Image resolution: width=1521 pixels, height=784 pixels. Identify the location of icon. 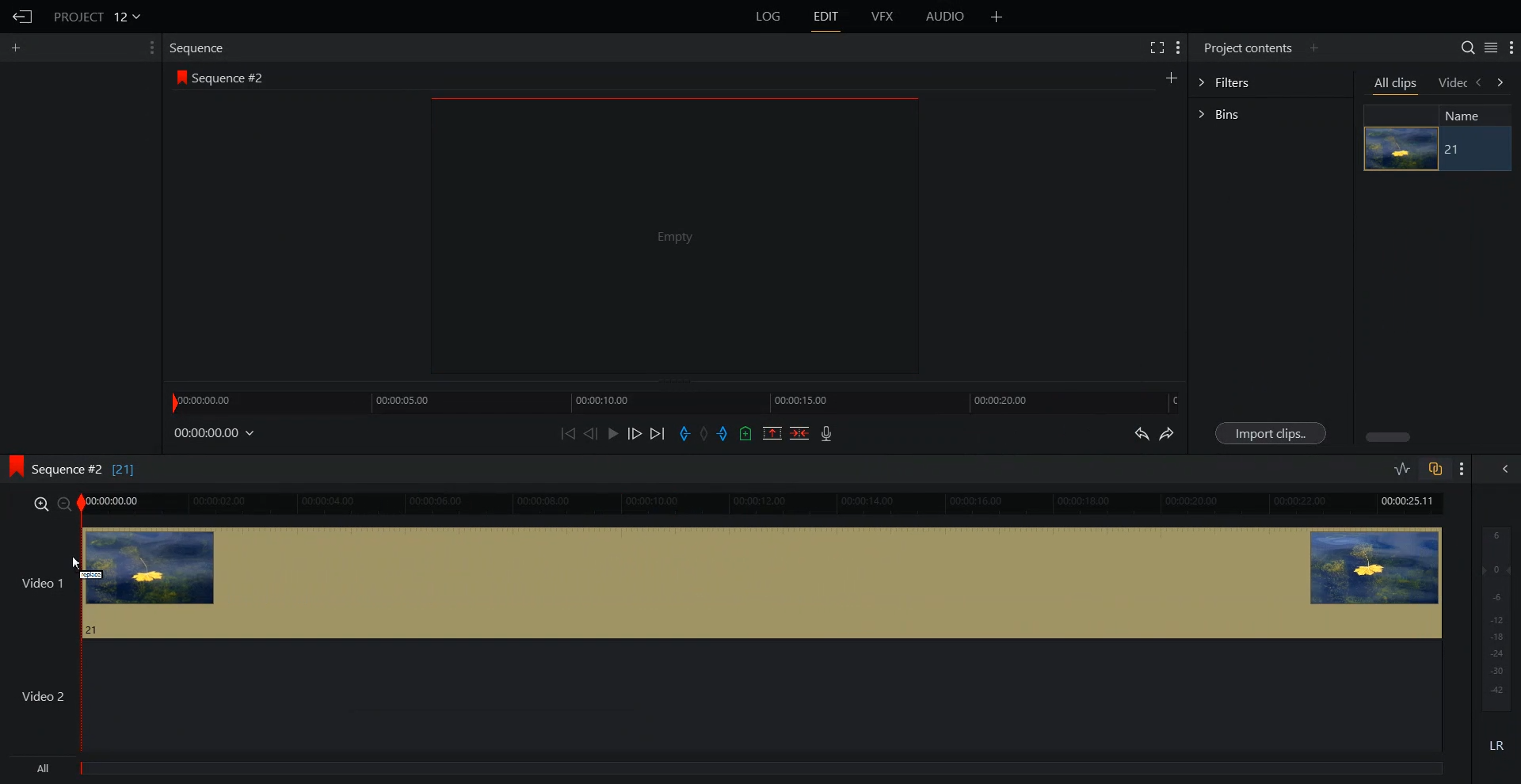
(182, 79).